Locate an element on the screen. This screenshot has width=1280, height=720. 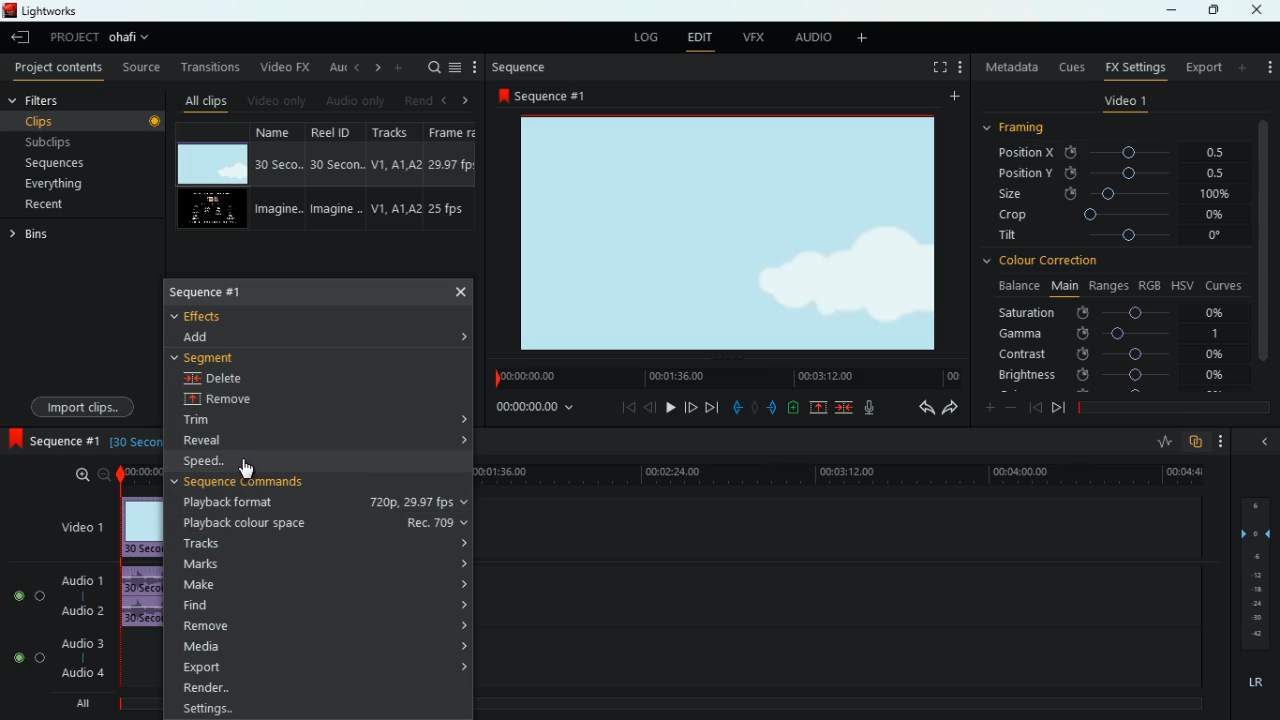
everything is located at coordinates (73, 187).